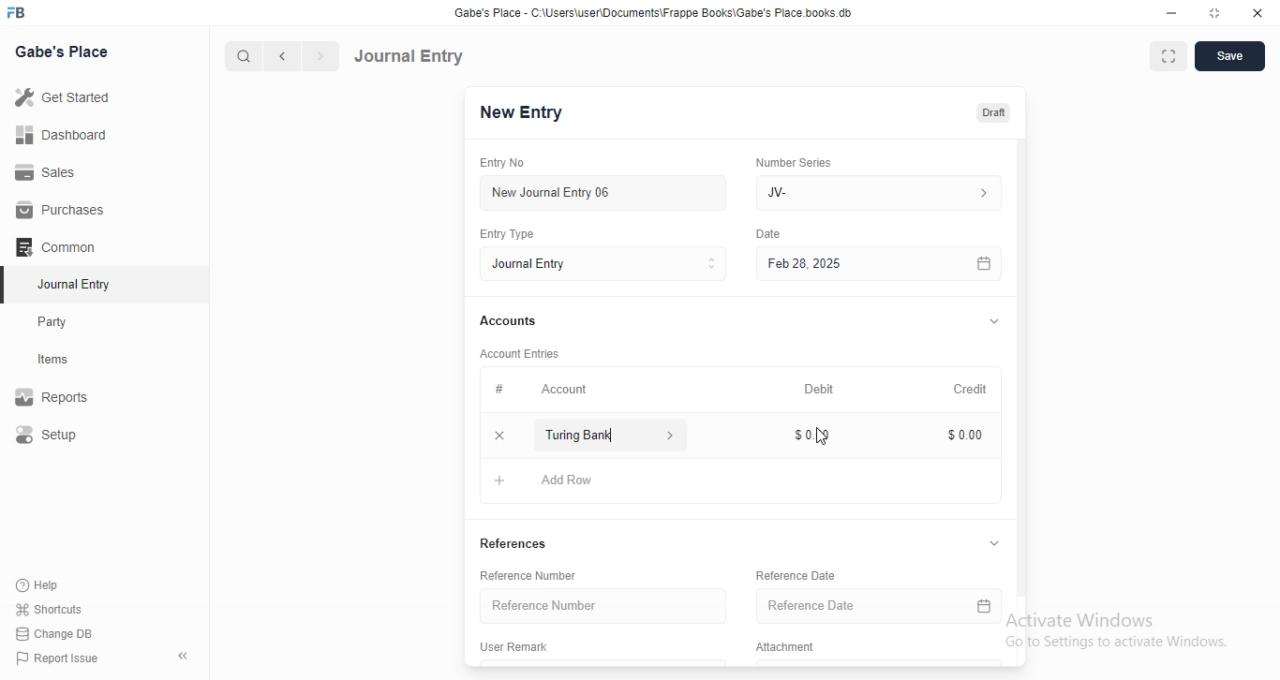 The height and width of the screenshot is (680, 1280). What do you see at coordinates (63, 210) in the screenshot?
I see `Purchases` at bounding box center [63, 210].